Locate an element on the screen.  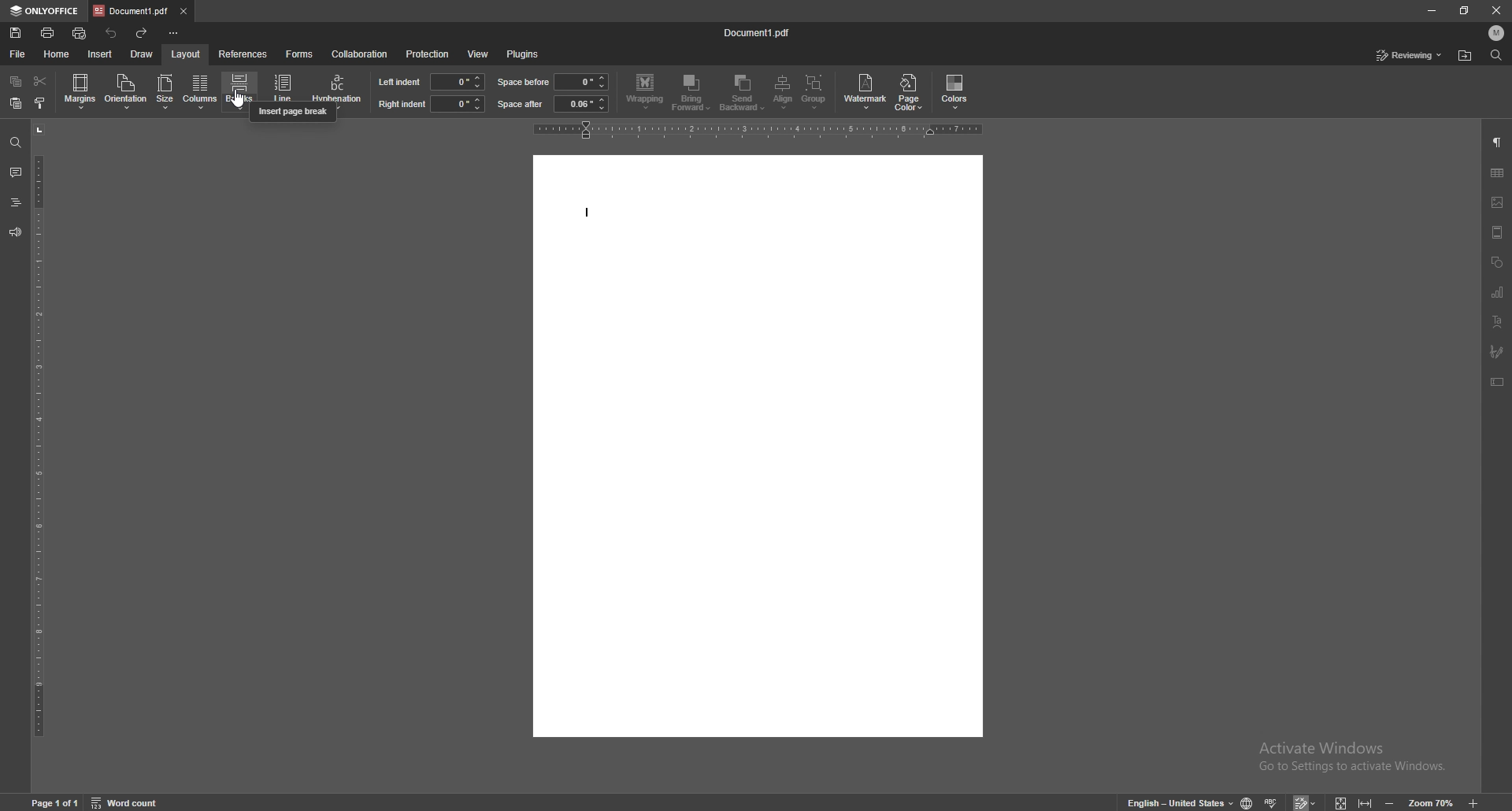
fit to width is located at coordinates (1365, 803).